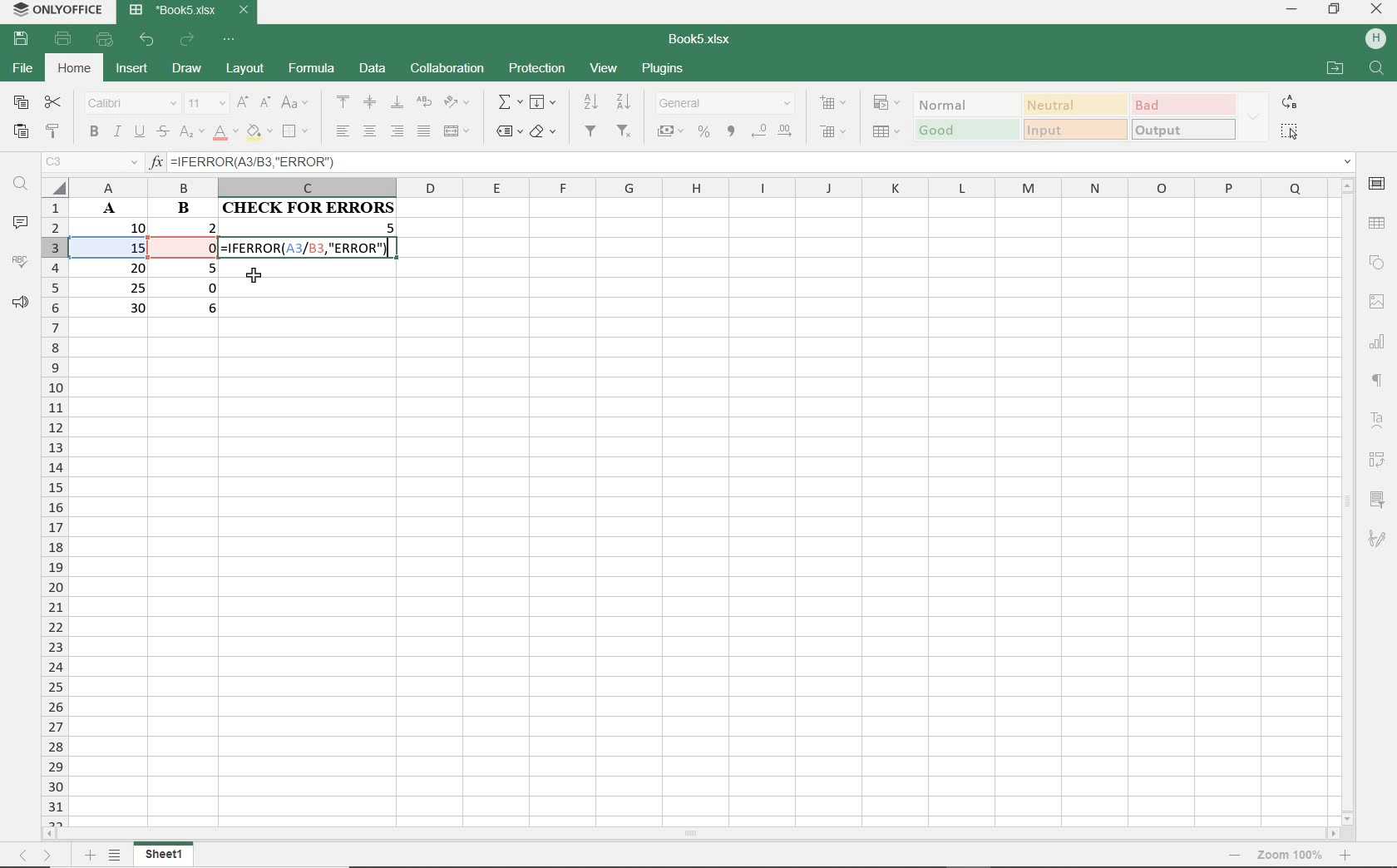  What do you see at coordinates (224, 134) in the screenshot?
I see `FONT COLOR` at bounding box center [224, 134].